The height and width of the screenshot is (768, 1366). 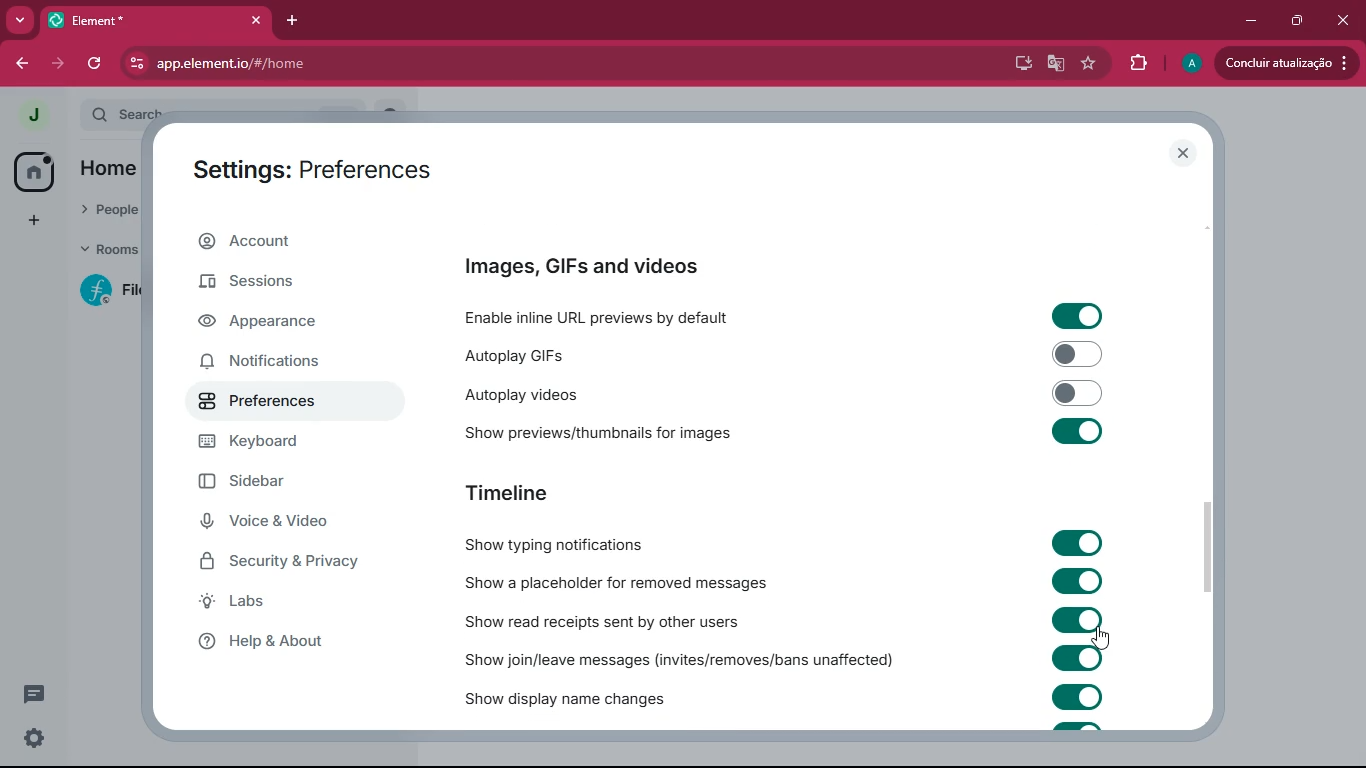 I want to click on maximize, so click(x=1298, y=21).